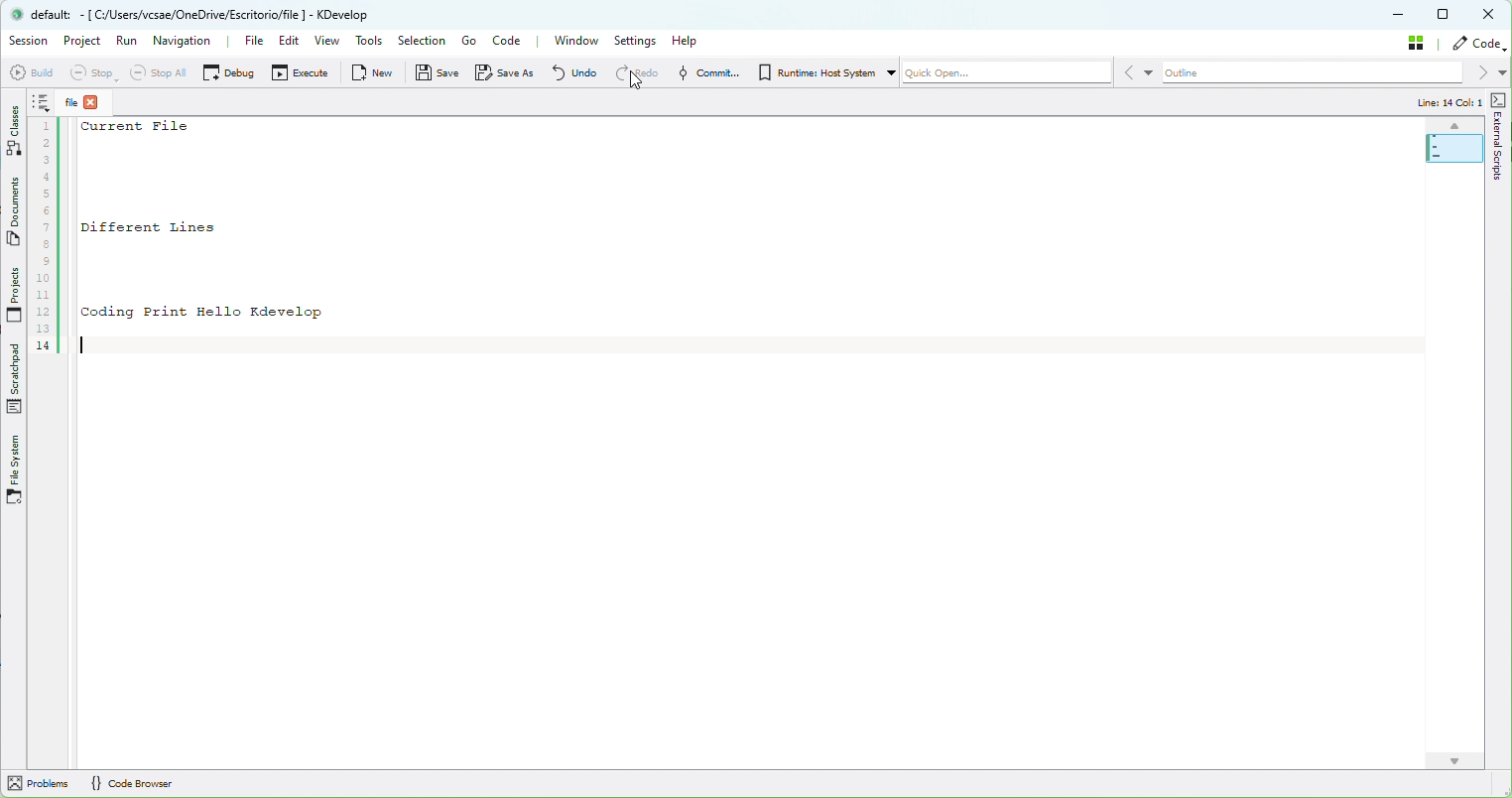 The width and height of the screenshot is (1512, 798). I want to click on Edit, so click(292, 41).